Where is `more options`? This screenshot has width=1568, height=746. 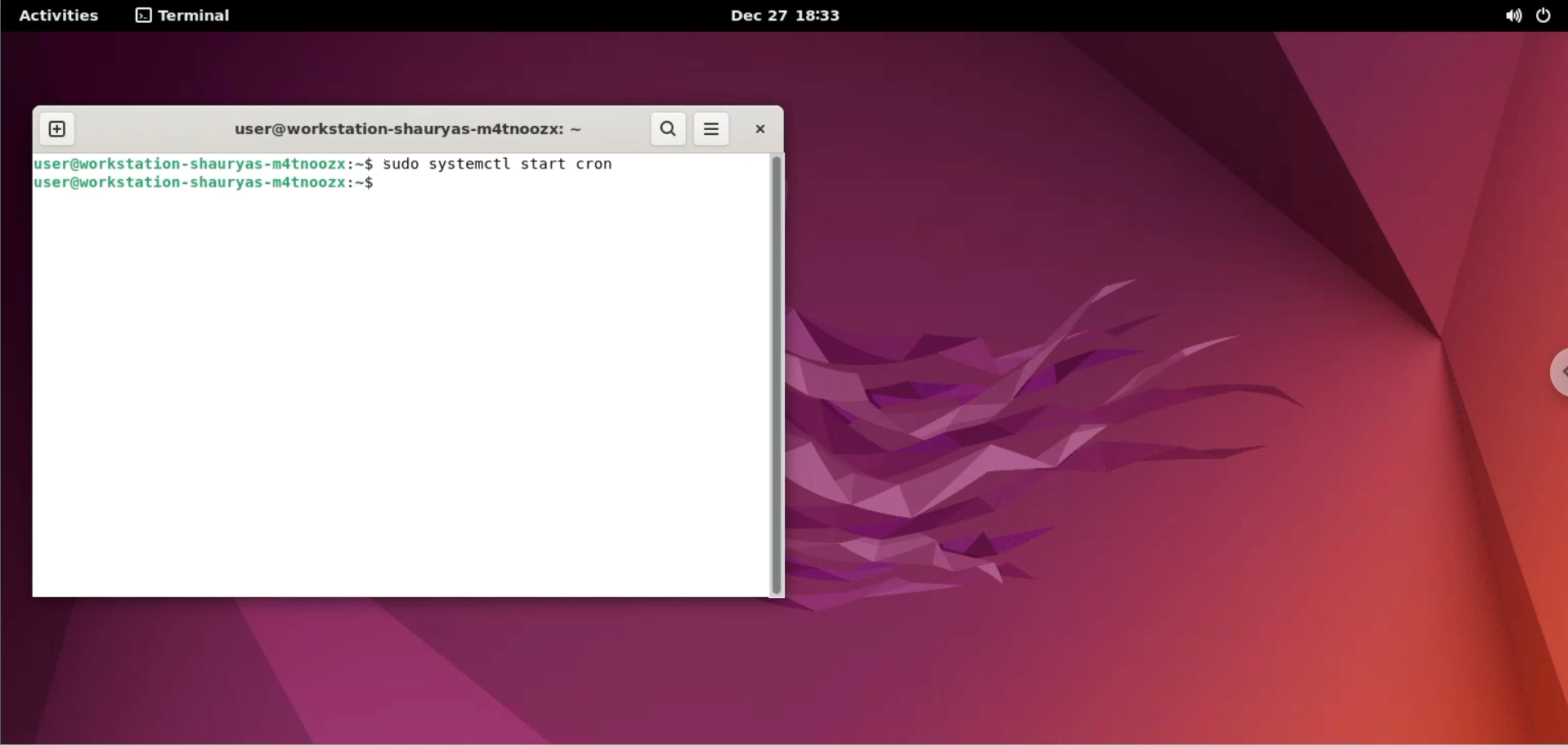
more options is located at coordinates (716, 129).